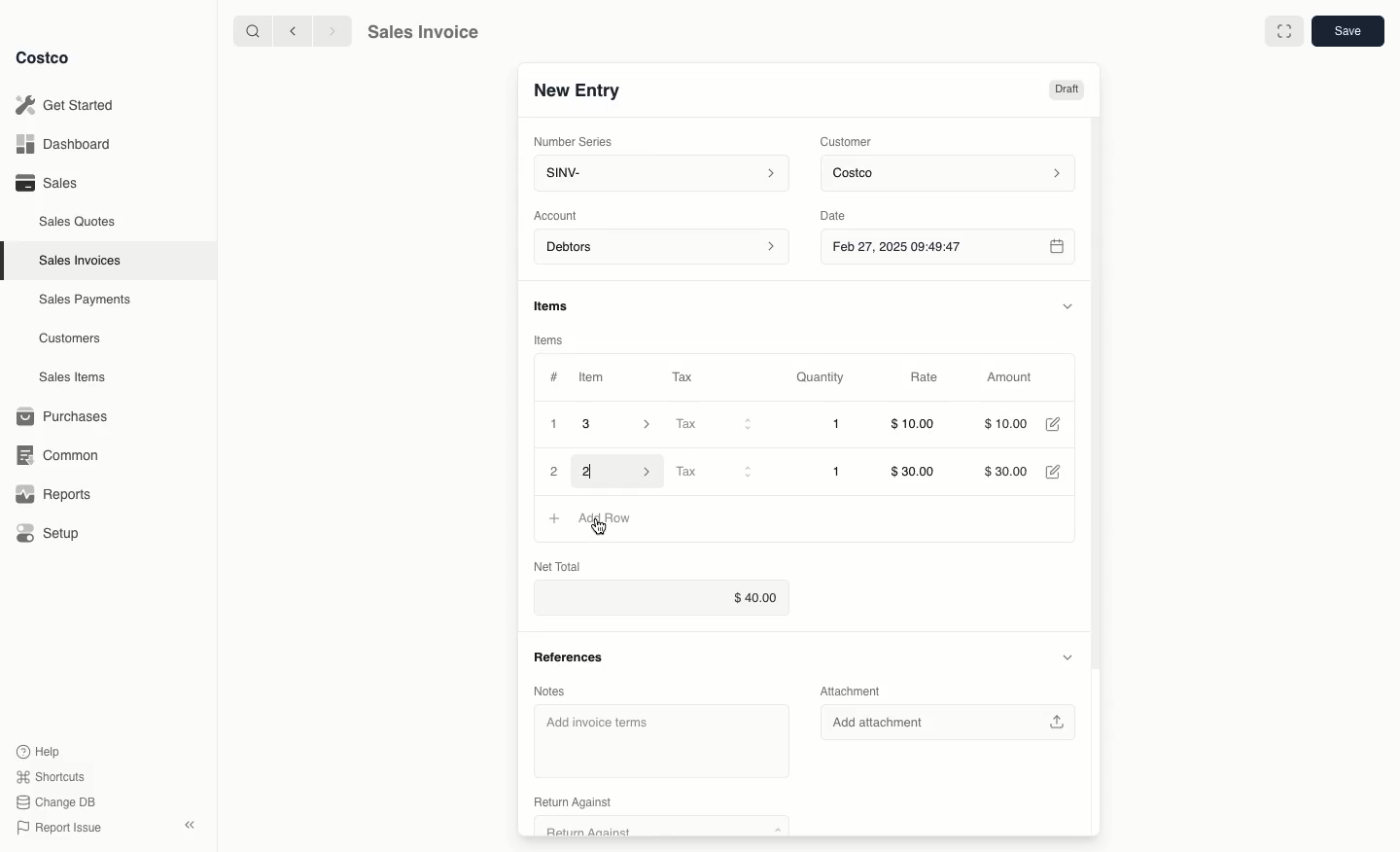  I want to click on Costco, so click(44, 58).